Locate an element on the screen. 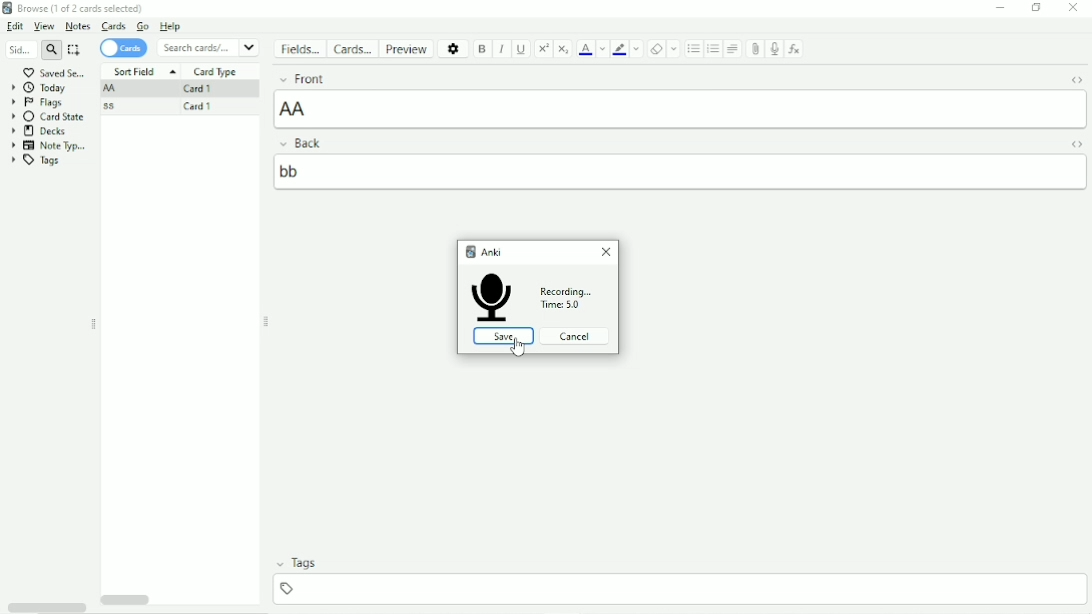 Image resolution: width=1092 pixels, height=614 pixels. Help is located at coordinates (169, 26).